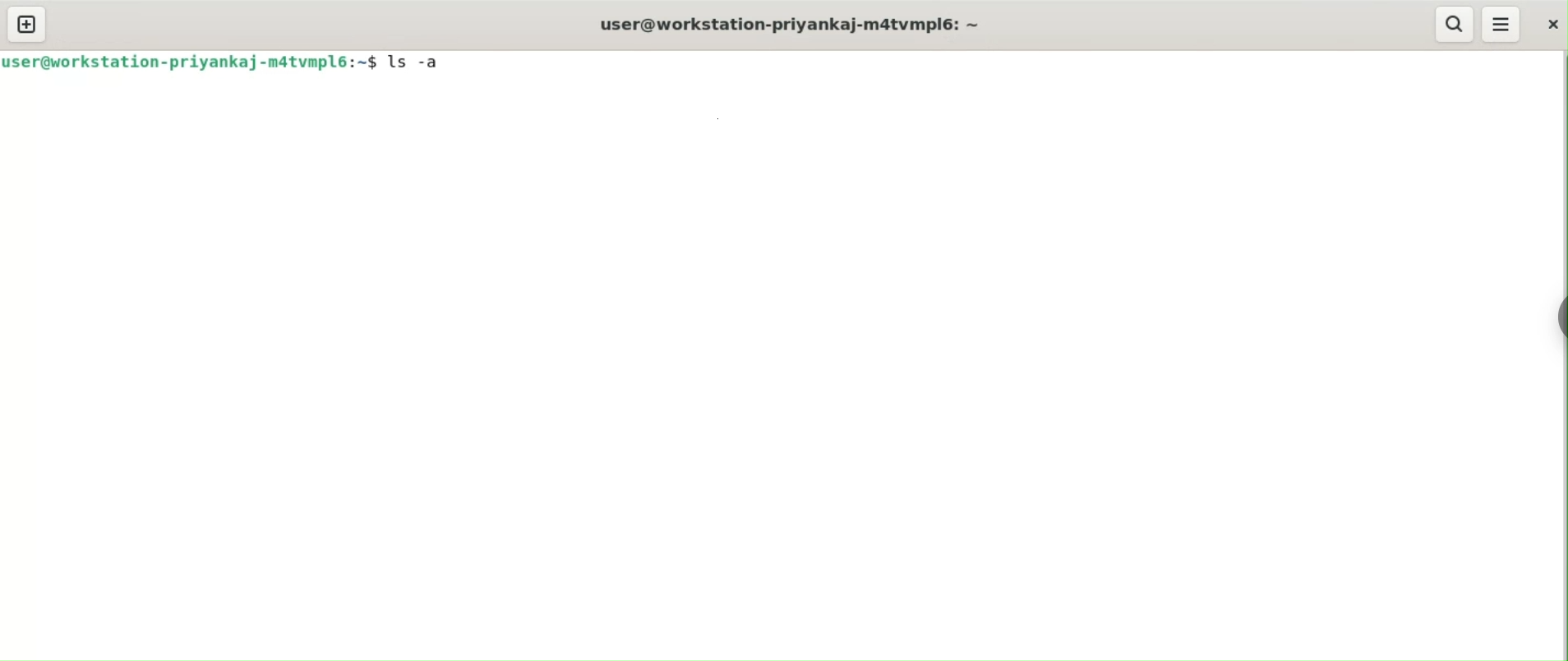 Image resolution: width=1568 pixels, height=661 pixels. Describe the element at coordinates (1457, 24) in the screenshot. I see `search` at that location.